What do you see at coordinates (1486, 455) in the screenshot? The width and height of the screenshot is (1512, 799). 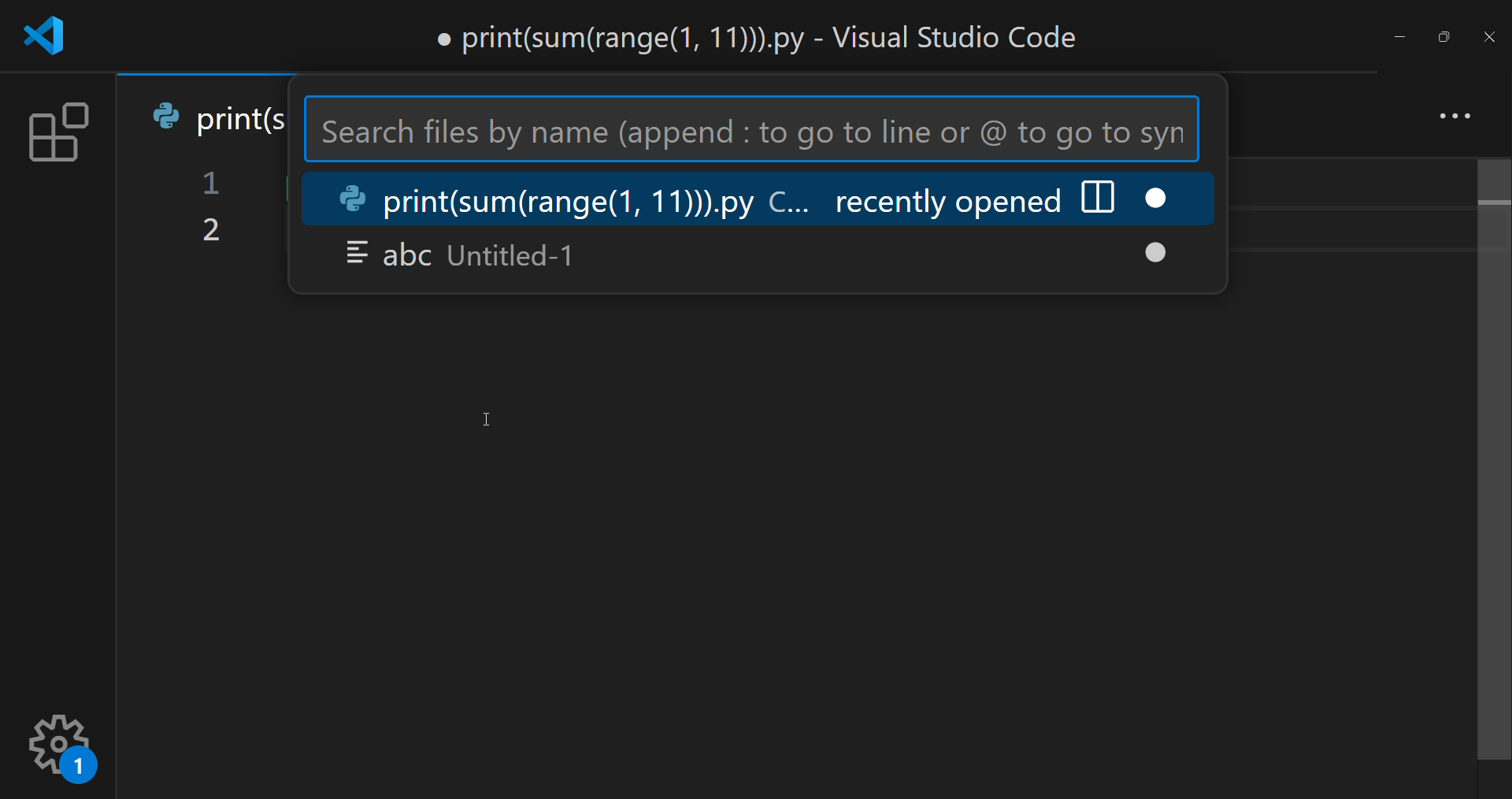 I see `scroll bar` at bounding box center [1486, 455].